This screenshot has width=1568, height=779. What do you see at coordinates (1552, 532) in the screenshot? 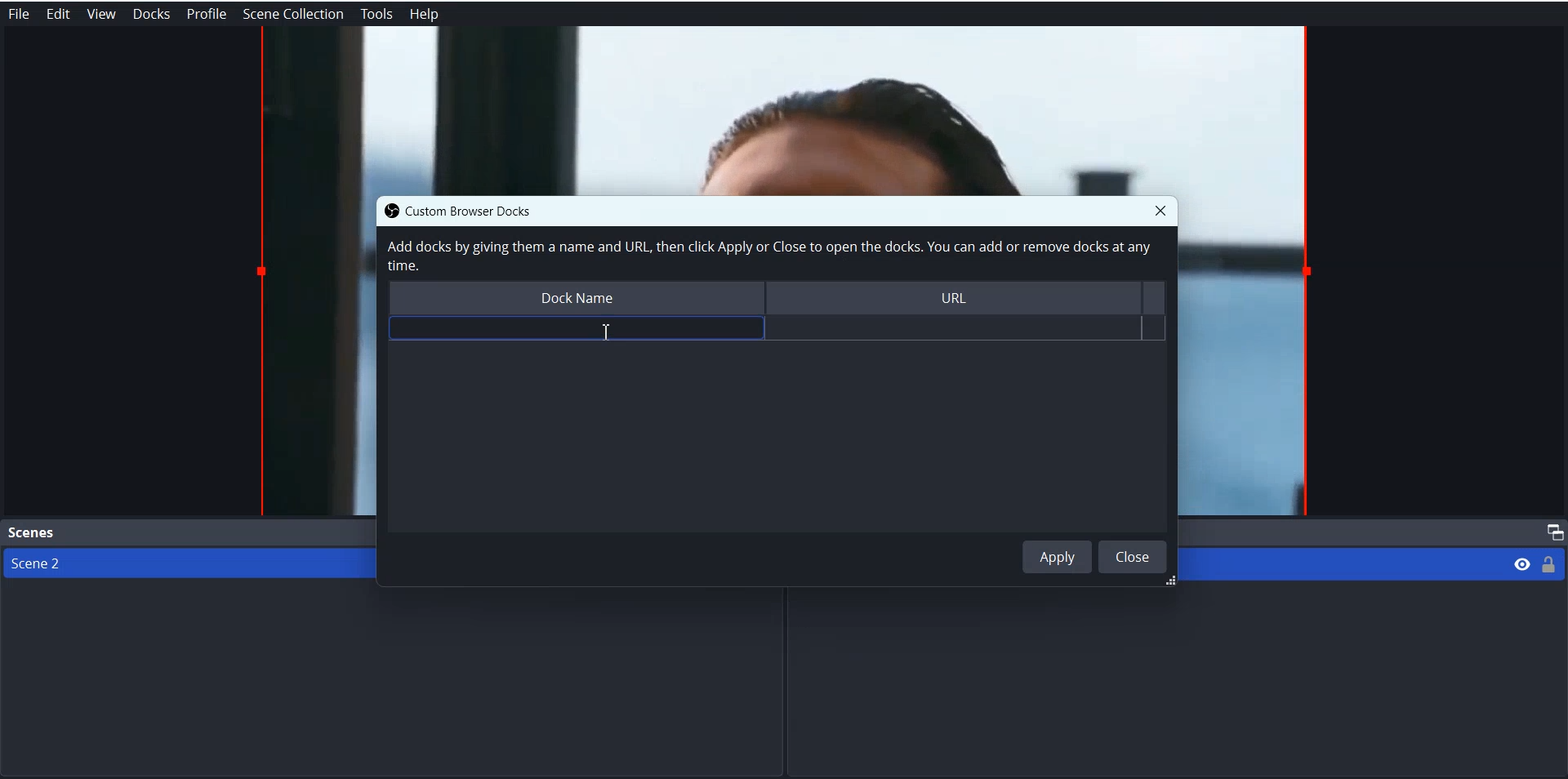
I see `Maximize` at bounding box center [1552, 532].